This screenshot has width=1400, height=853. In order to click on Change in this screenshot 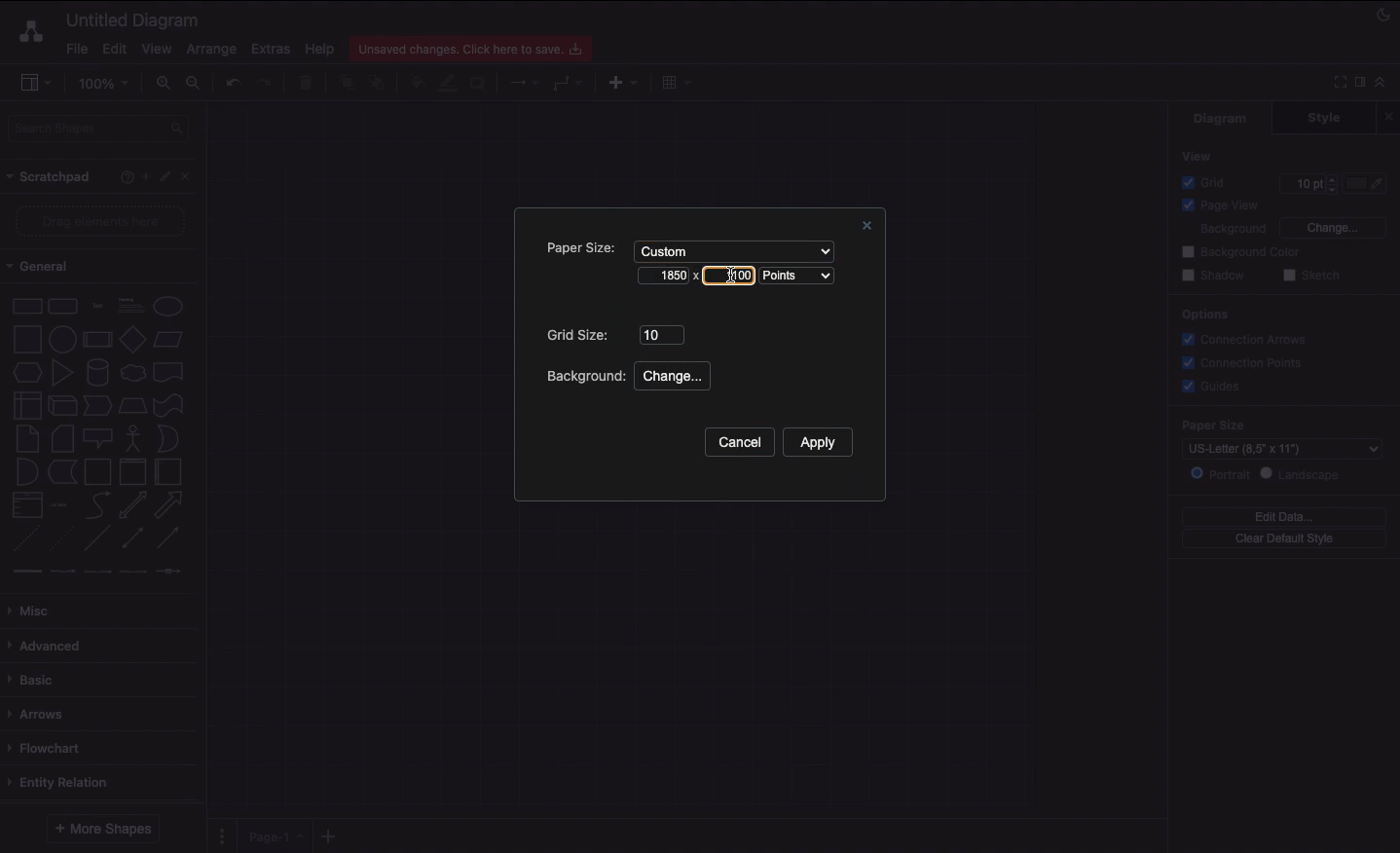, I will do `click(1332, 226)`.